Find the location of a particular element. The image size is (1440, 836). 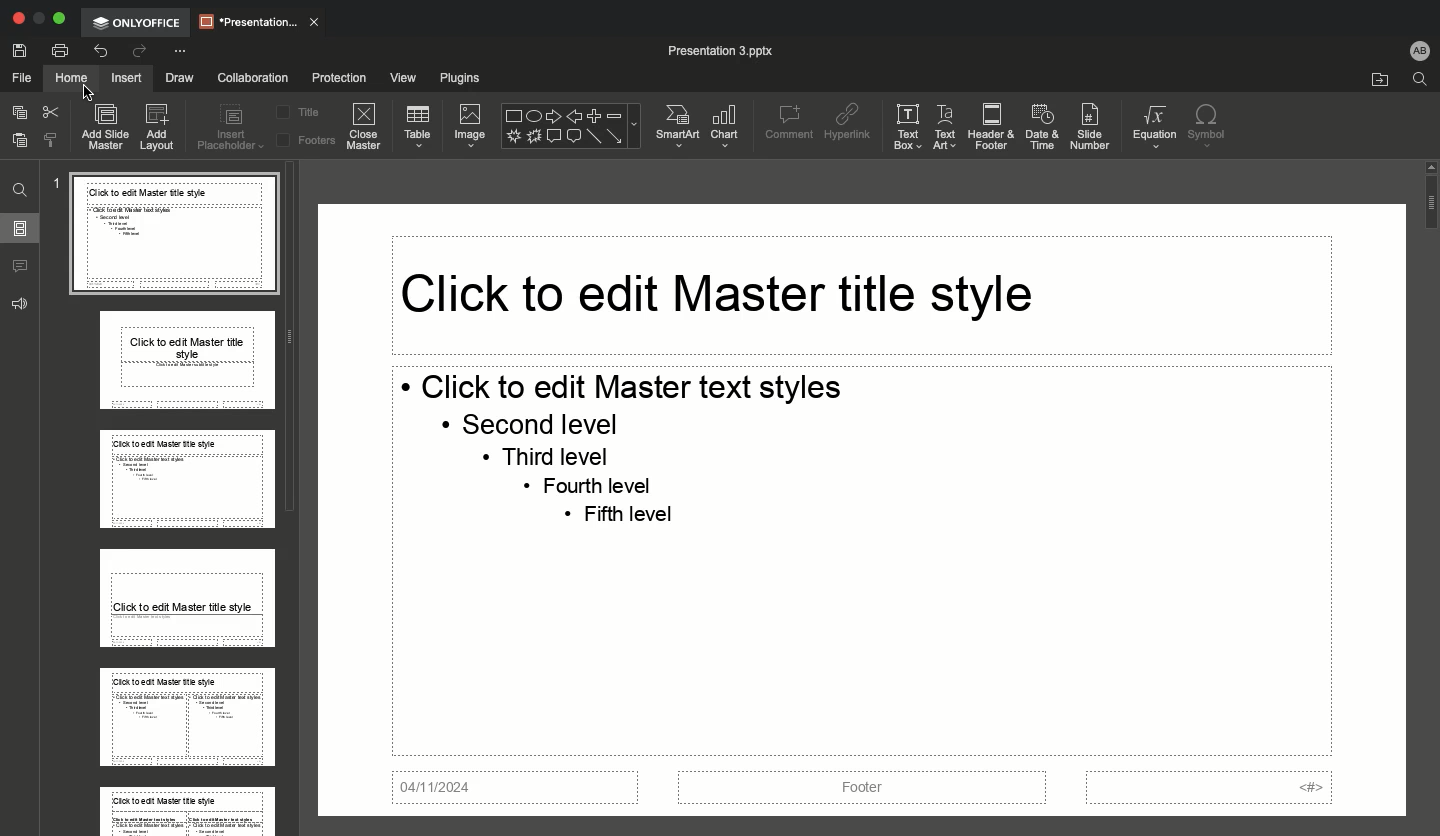

<#> is located at coordinates (1208, 788).